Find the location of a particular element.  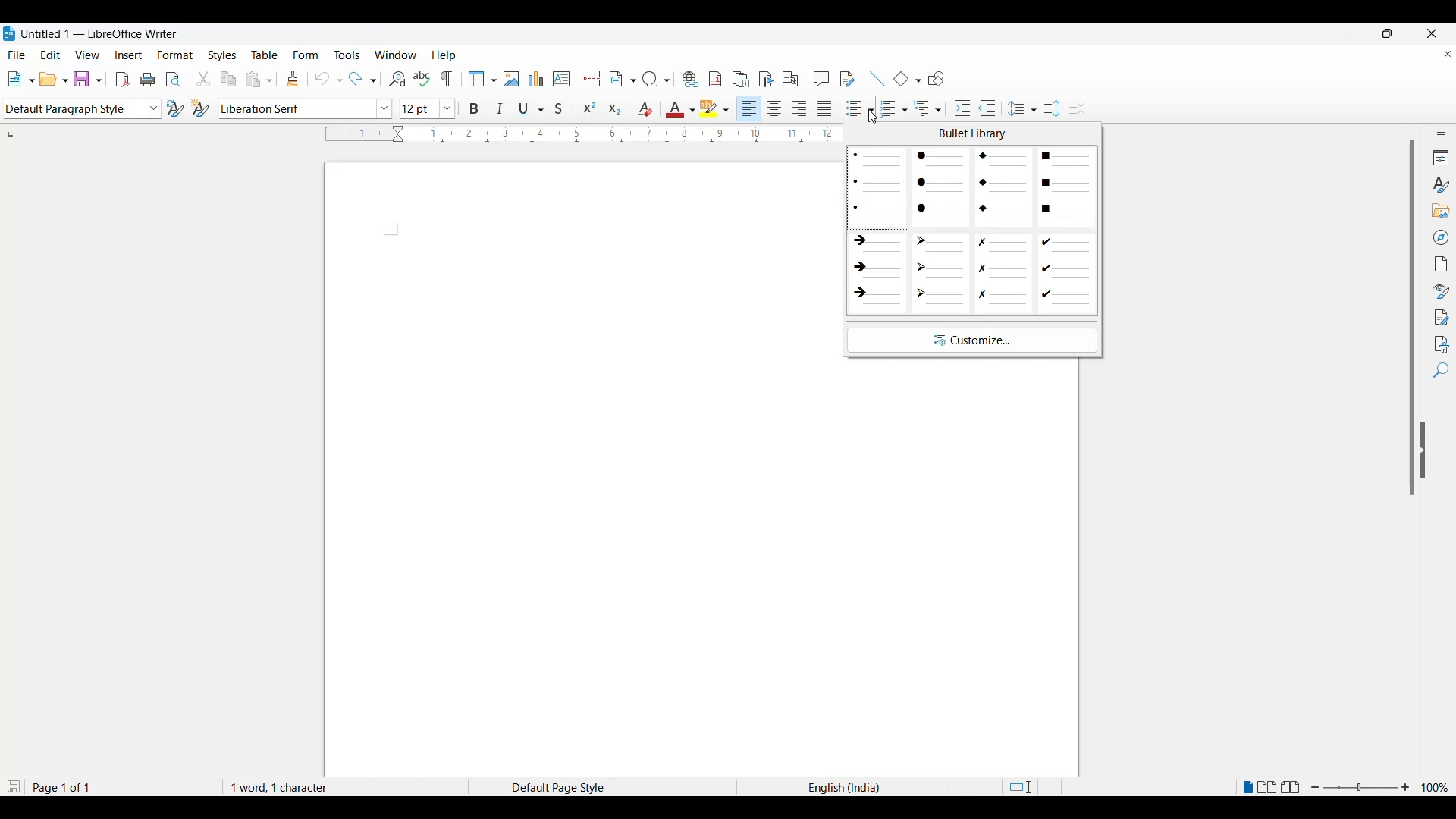

undo is located at coordinates (328, 79).